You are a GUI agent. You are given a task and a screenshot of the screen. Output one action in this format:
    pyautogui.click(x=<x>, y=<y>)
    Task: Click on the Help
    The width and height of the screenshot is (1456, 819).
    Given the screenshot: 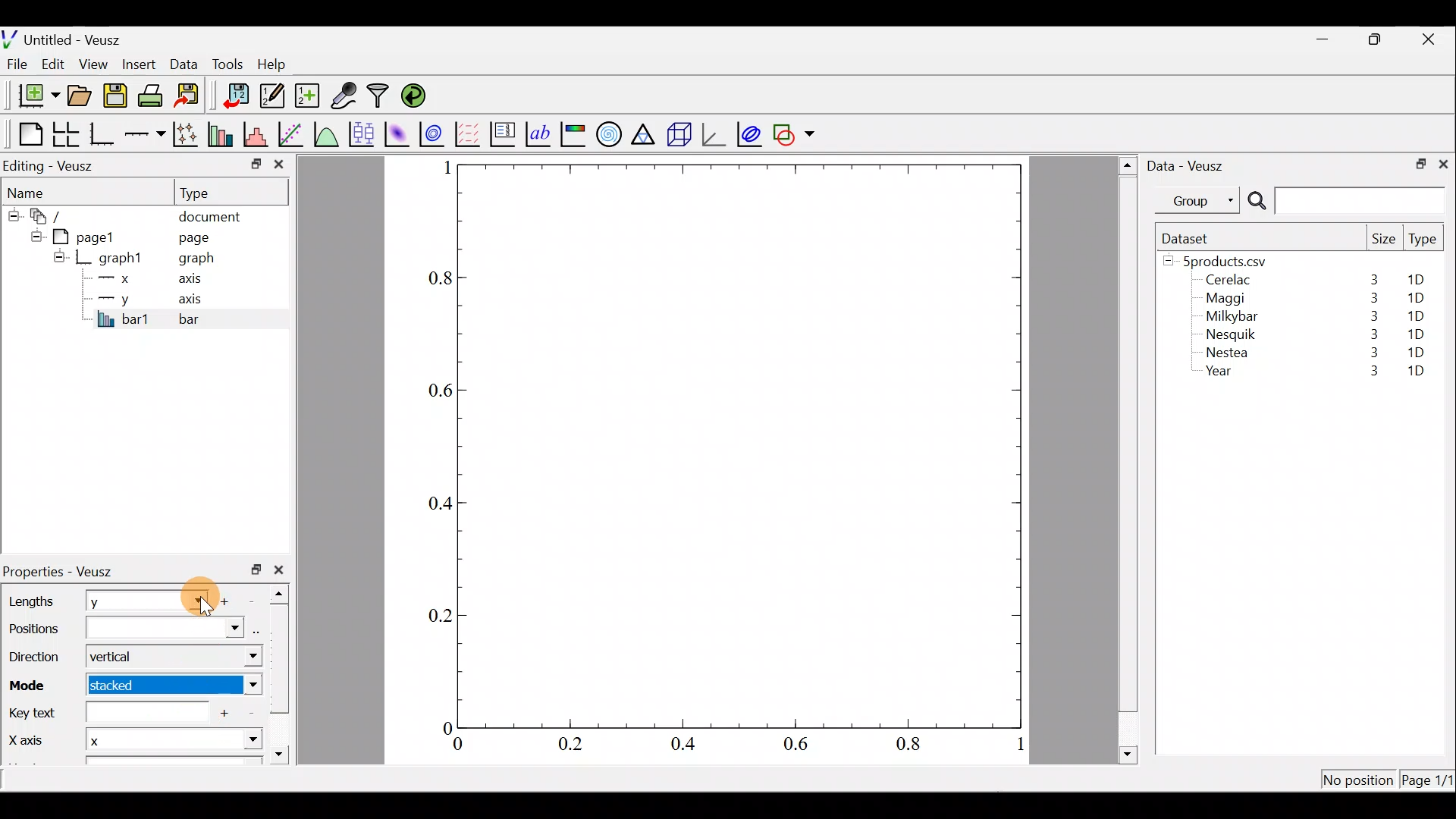 What is the action you would take?
    pyautogui.click(x=281, y=64)
    